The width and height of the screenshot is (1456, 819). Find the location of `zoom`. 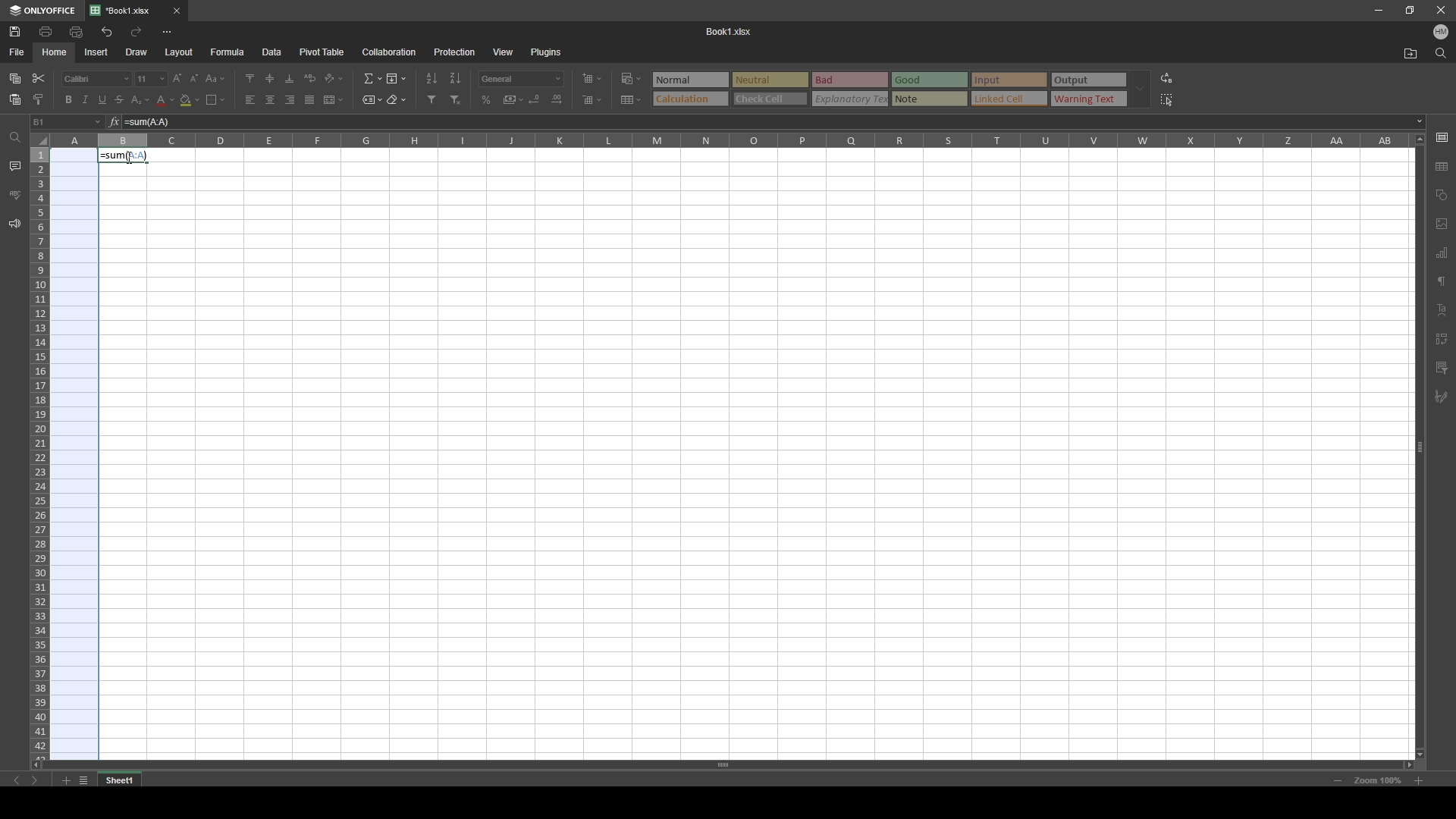

zoom is located at coordinates (1377, 781).